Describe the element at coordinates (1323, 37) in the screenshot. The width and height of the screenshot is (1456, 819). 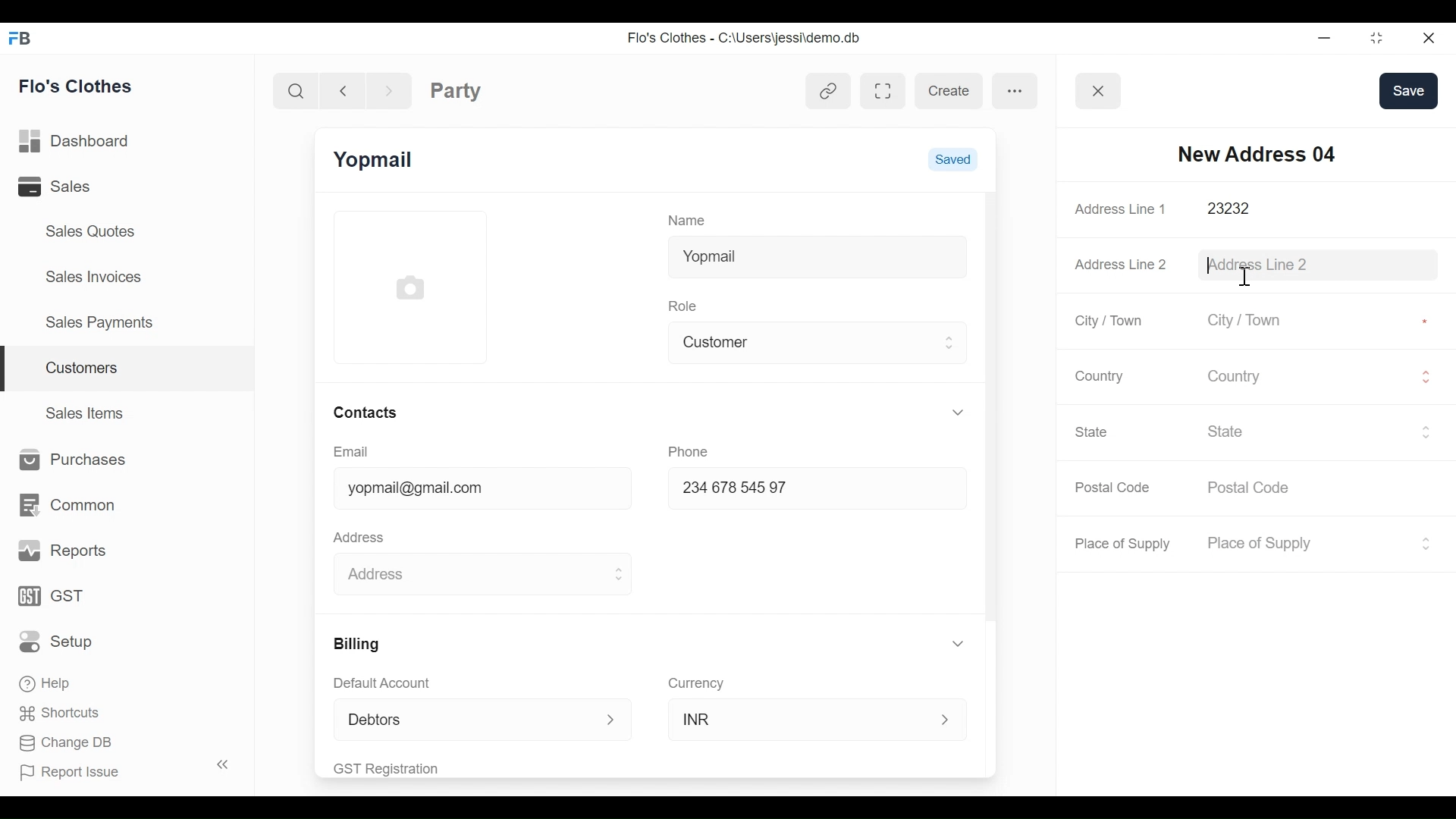
I see `minimize` at that location.